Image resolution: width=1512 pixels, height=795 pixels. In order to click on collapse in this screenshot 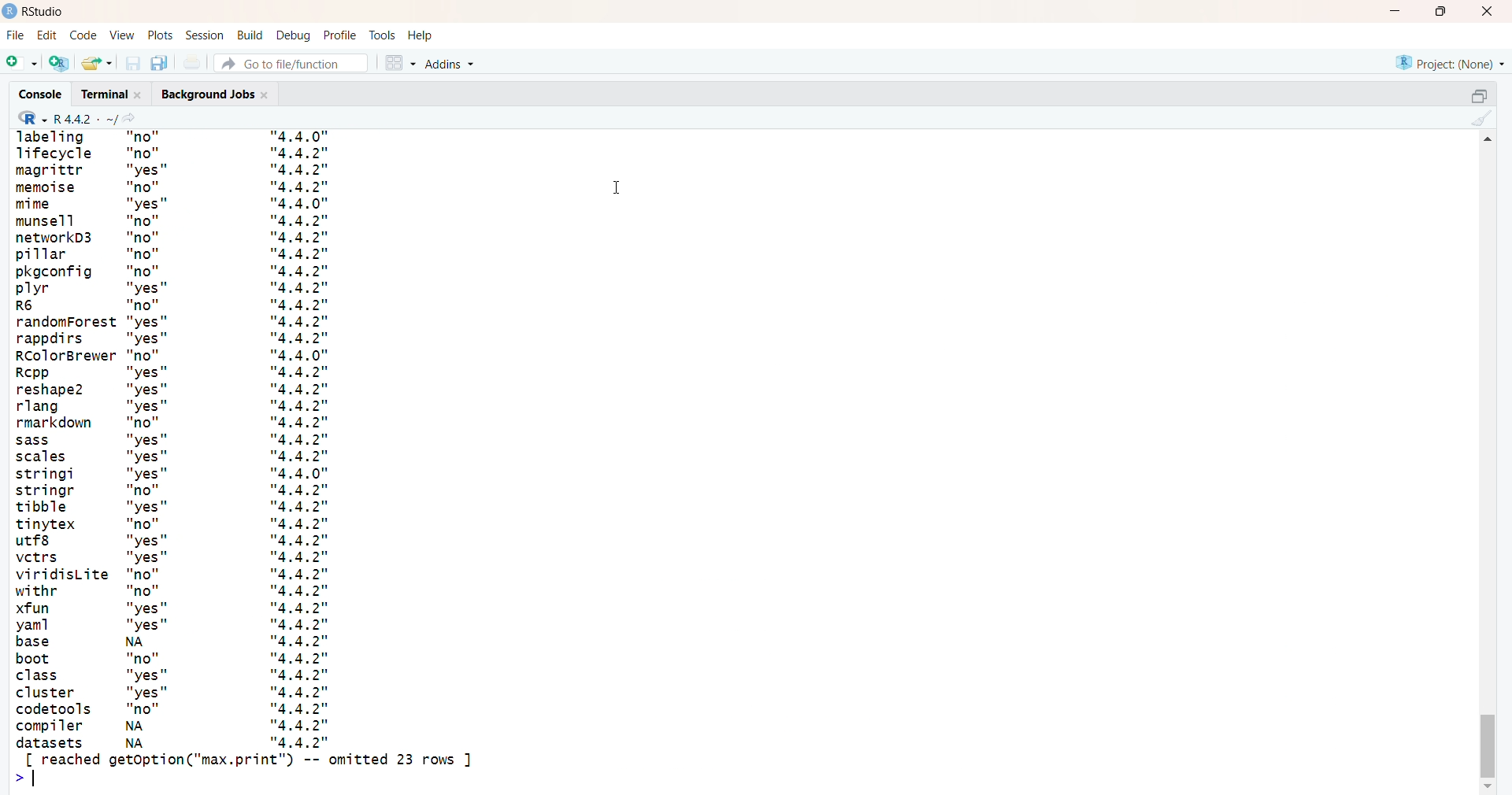, I will do `click(1473, 98)`.